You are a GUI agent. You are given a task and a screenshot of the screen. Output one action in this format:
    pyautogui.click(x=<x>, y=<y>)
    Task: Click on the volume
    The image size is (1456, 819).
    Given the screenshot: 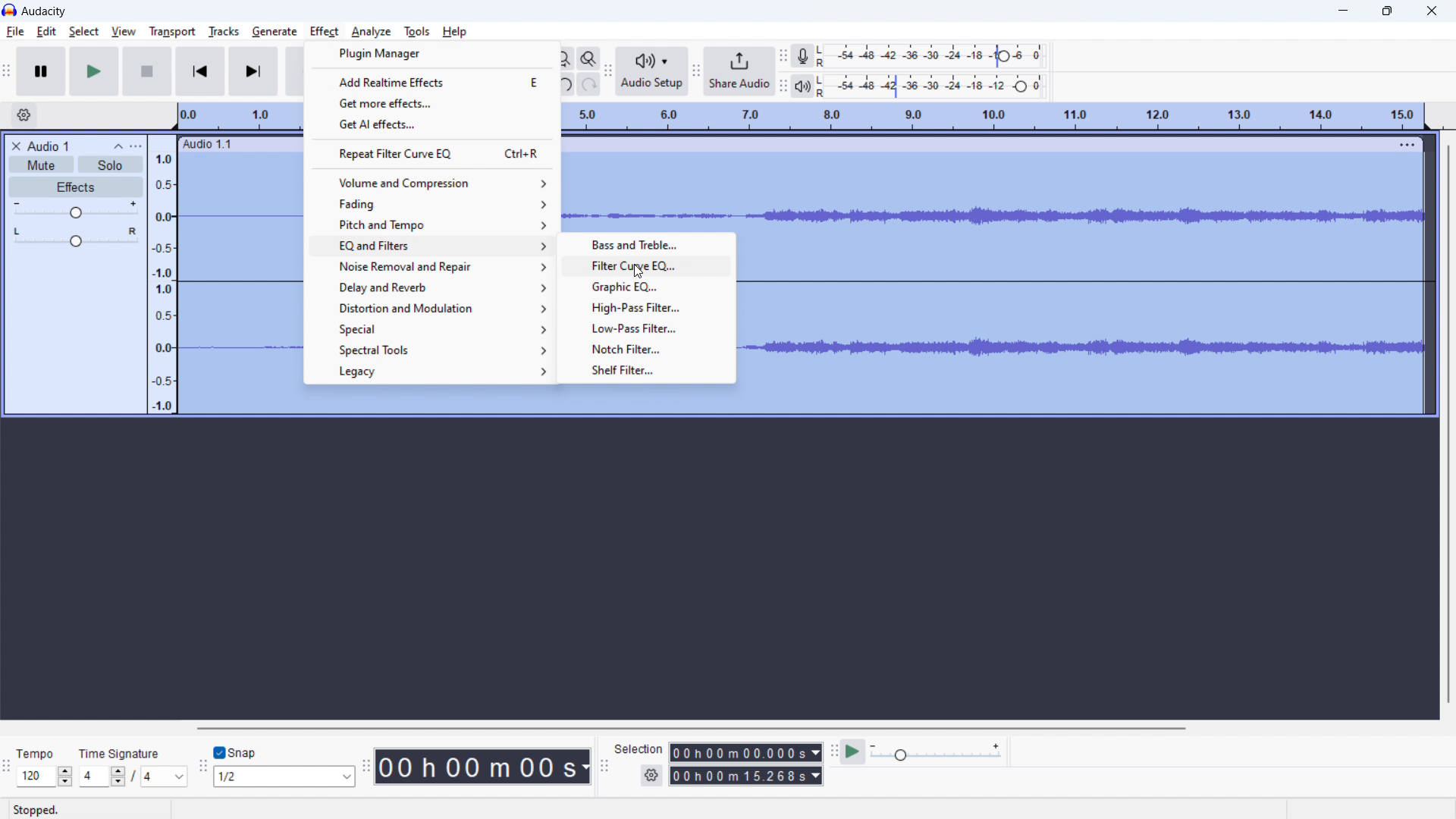 What is the action you would take?
    pyautogui.click(x=77, y=210)
    